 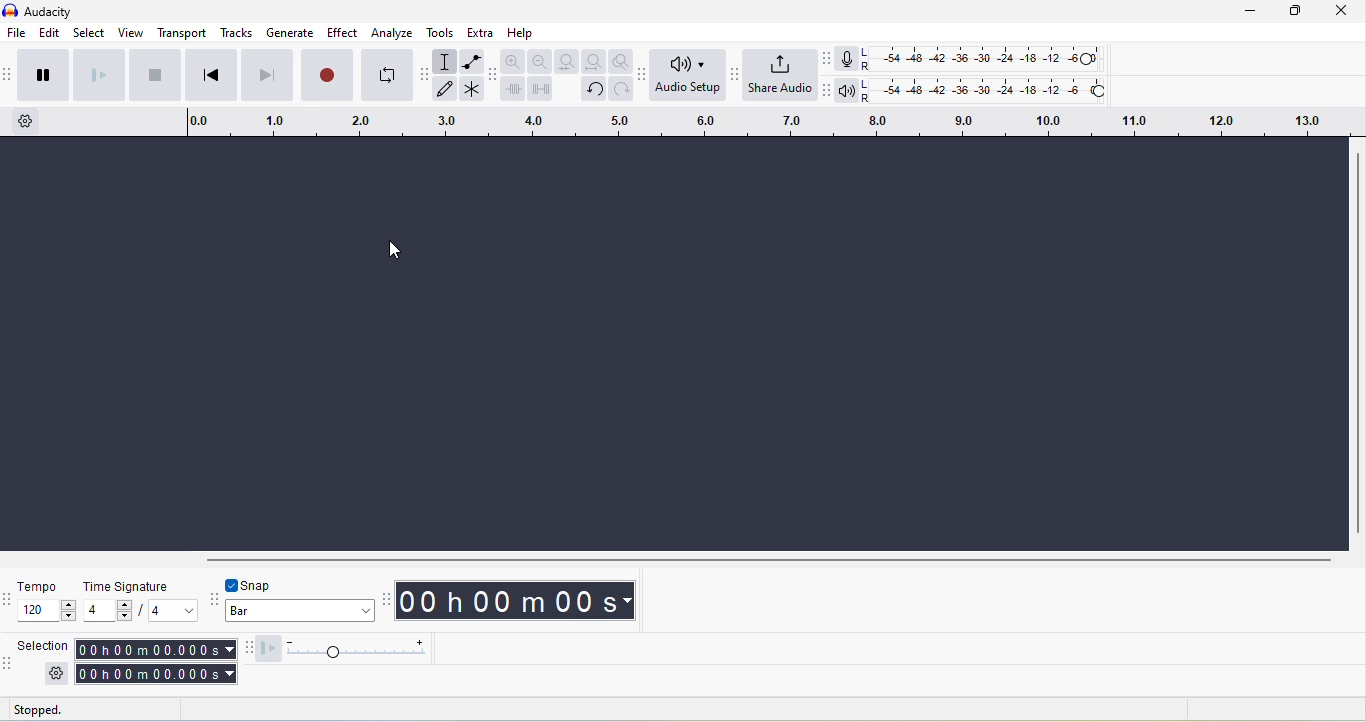 What do you see at coordinates (1290, 12) in the screenshot?
I see `maximize` at bounding box center [1290, 12].